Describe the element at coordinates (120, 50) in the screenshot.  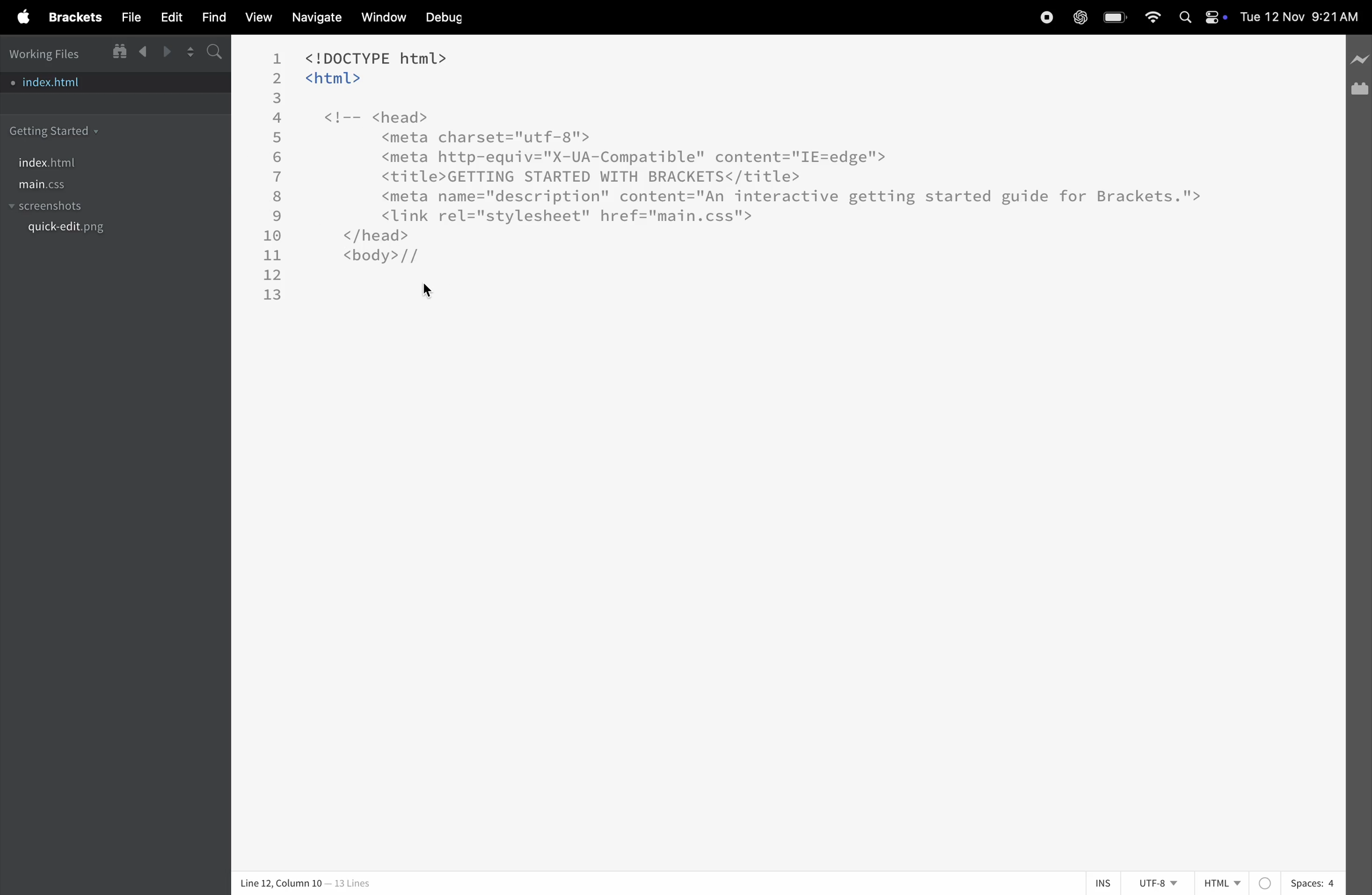
I see `show in file tree` at that location.